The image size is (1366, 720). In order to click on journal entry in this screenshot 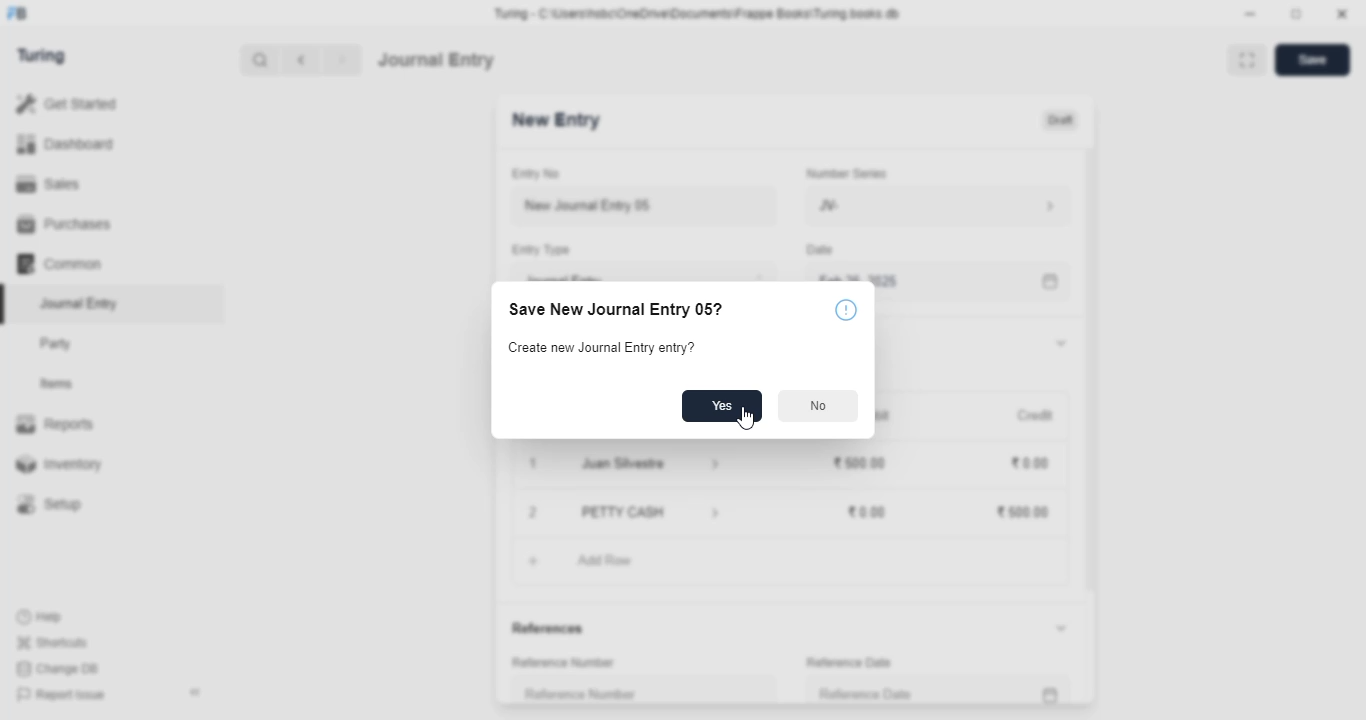, I will do `click(437, 59)`.